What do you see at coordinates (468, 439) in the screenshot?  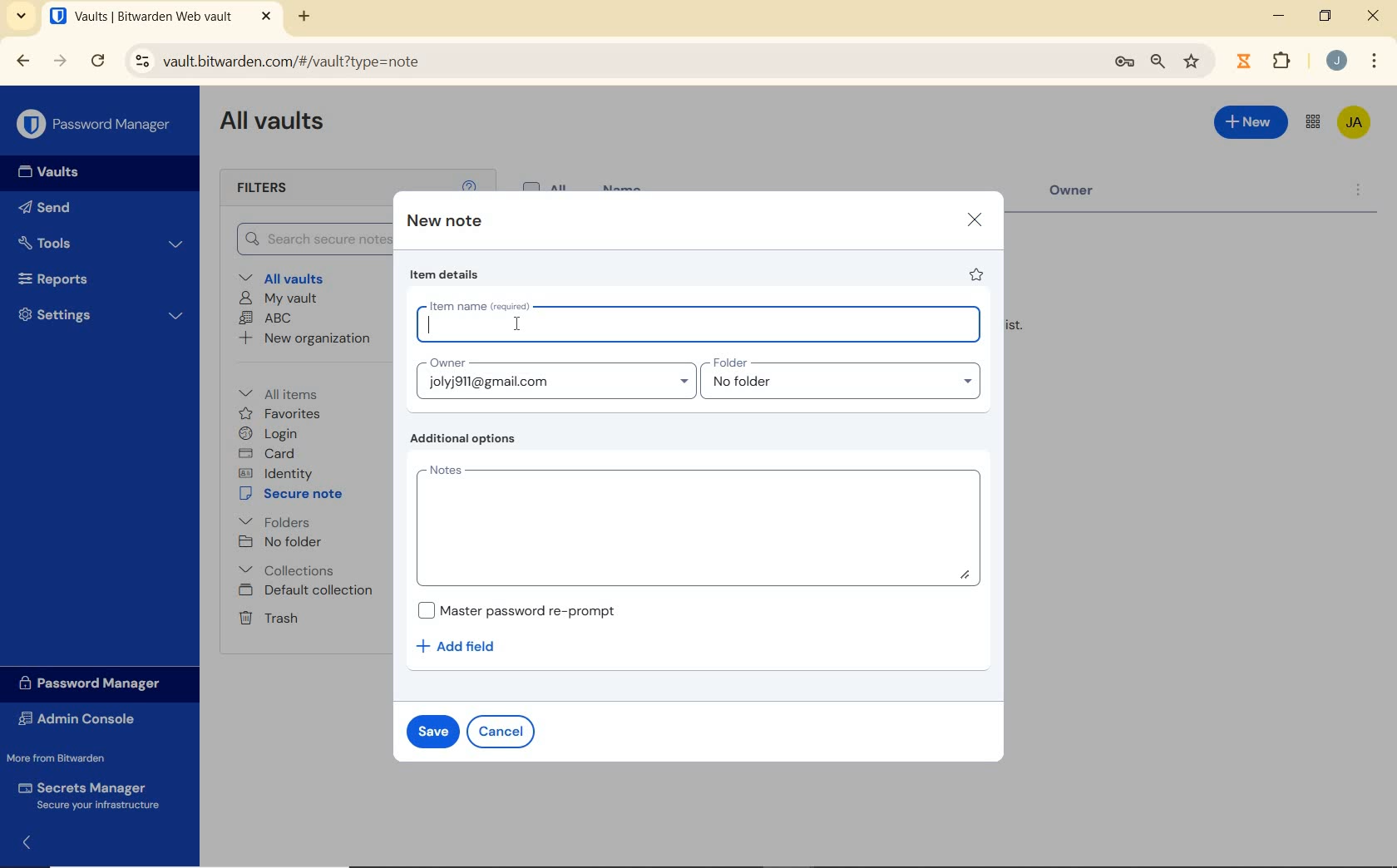 I see `additional options` at bounding box center [468, 439].